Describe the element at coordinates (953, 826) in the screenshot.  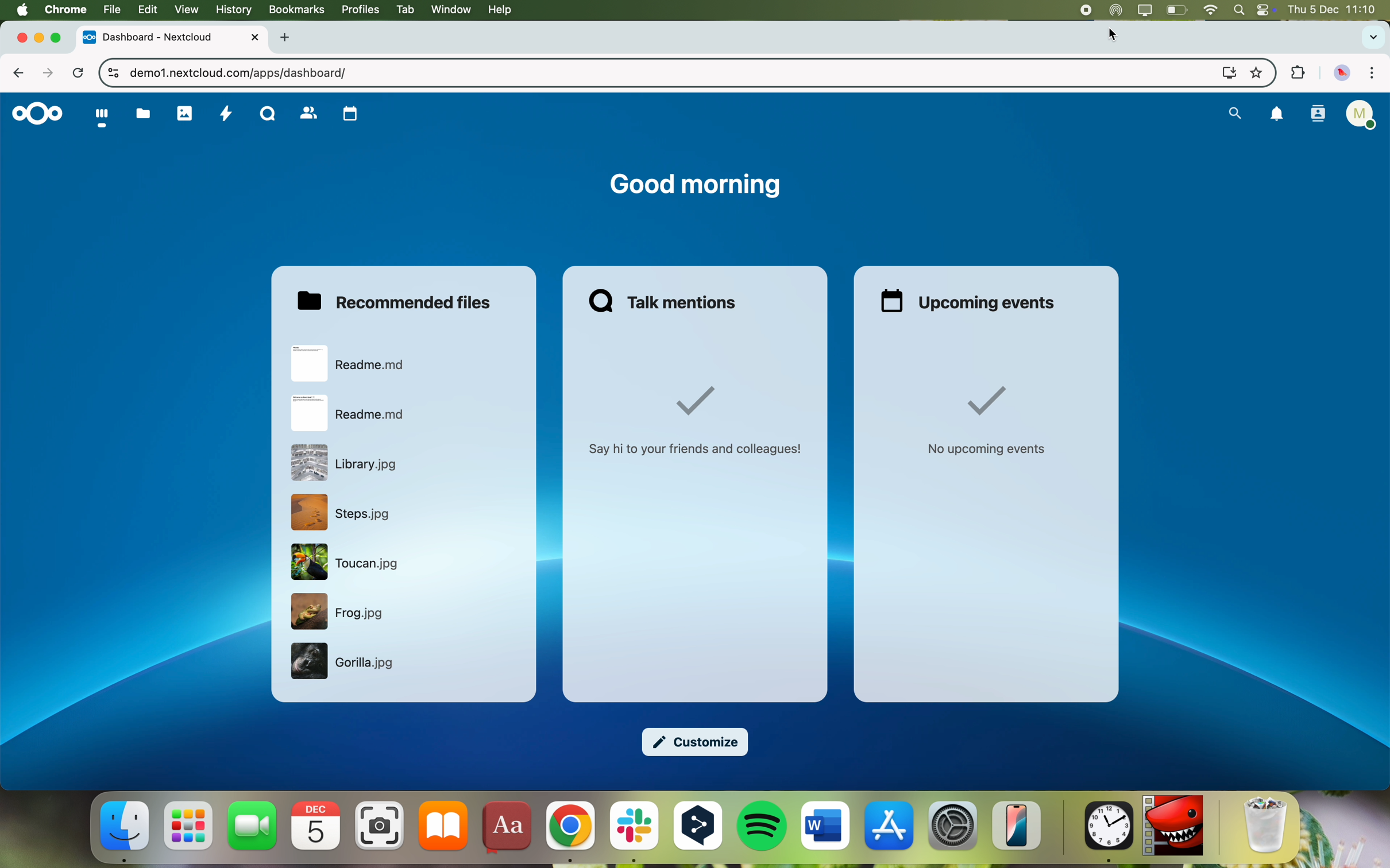
I see `Settings` at that location.